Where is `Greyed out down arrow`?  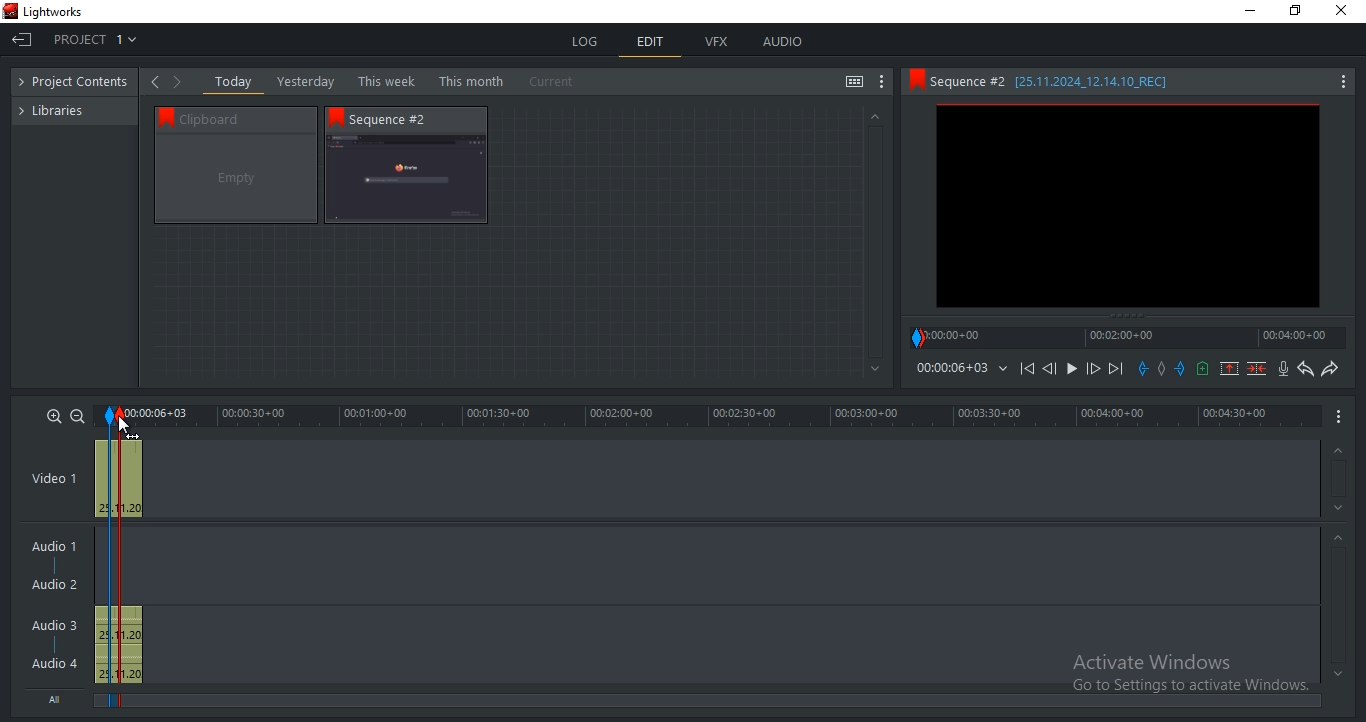 Greyed out down arrow is located at coordinates (1338, 673).